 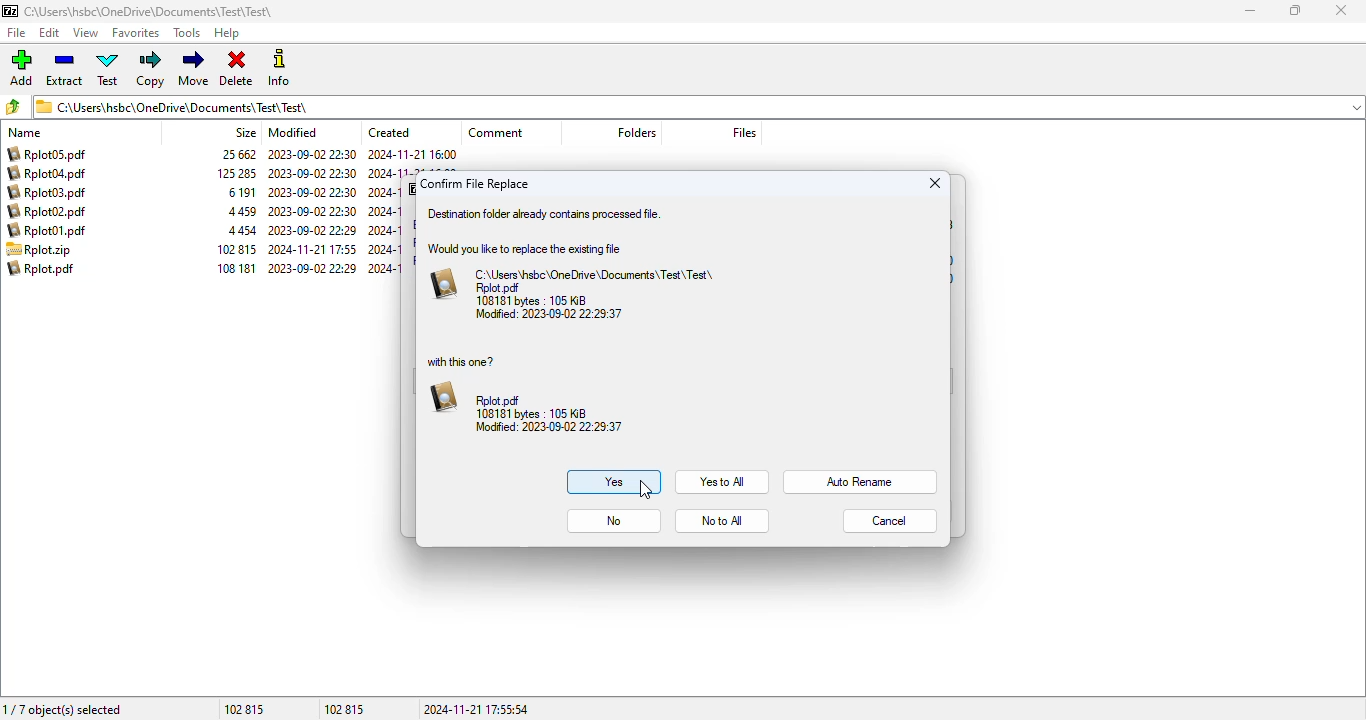 What do you see at coordinates (312, 154) in the screenshot?
I see `2023-09-02 22:30` at bounding box center [312, 154].